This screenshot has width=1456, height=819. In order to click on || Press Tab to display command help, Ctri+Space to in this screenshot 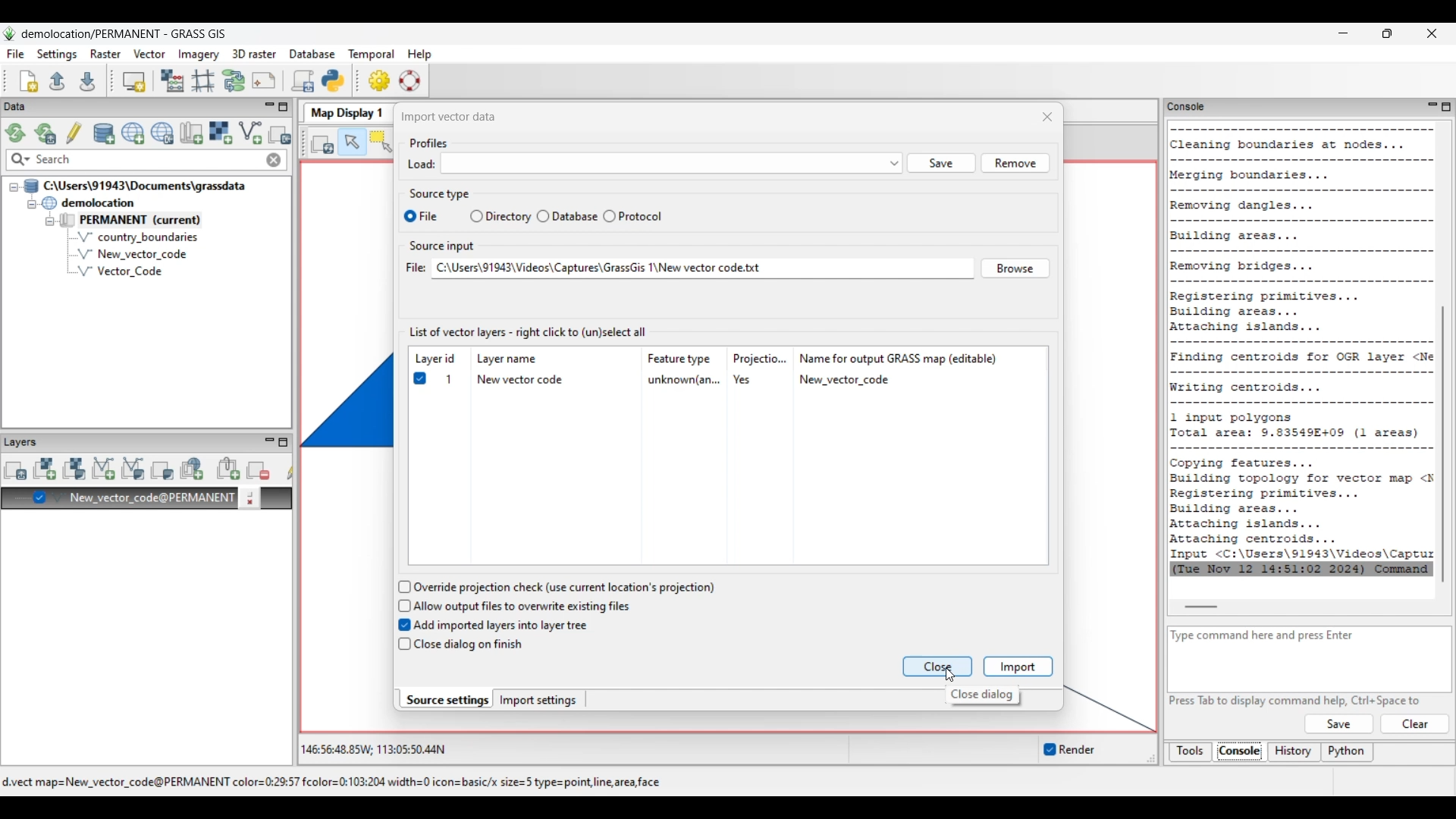, I will do `click(1289, 699)`.